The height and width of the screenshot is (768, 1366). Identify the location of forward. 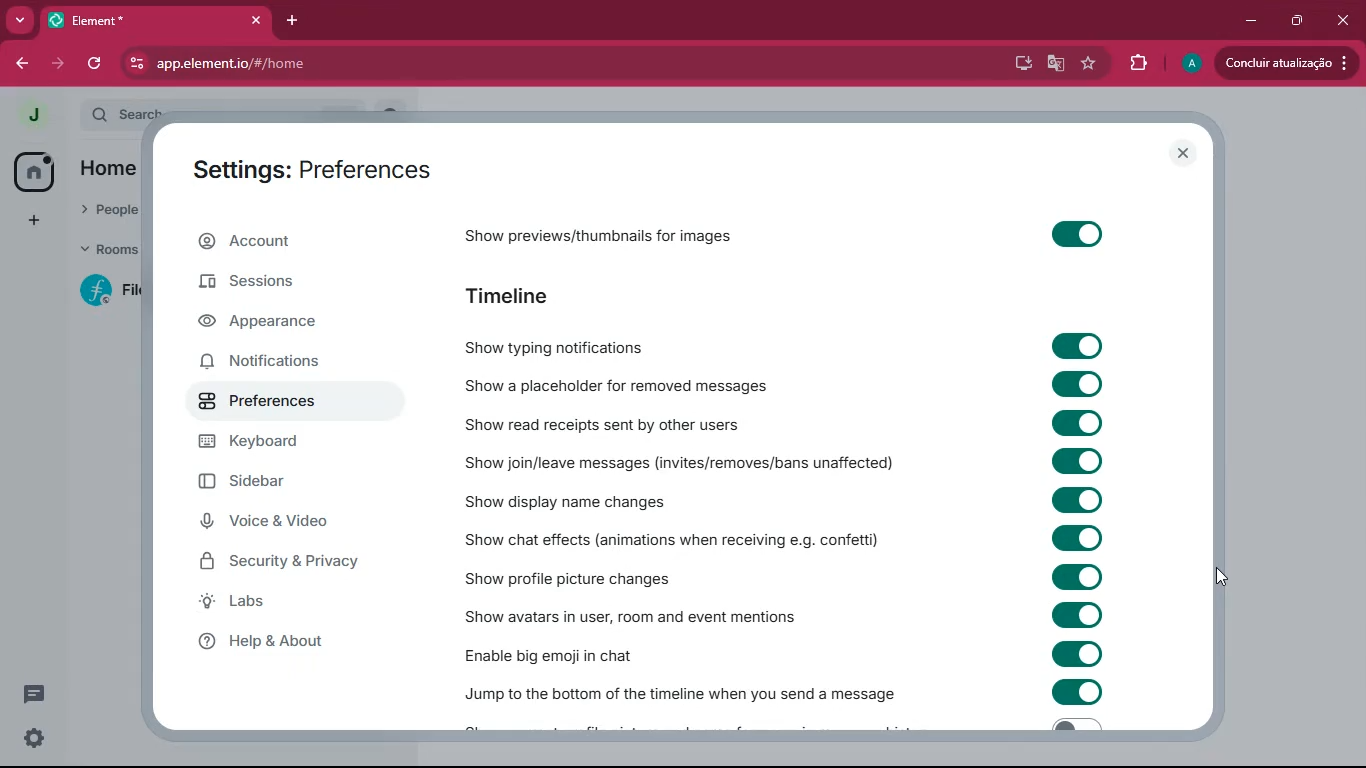
(61, 64).